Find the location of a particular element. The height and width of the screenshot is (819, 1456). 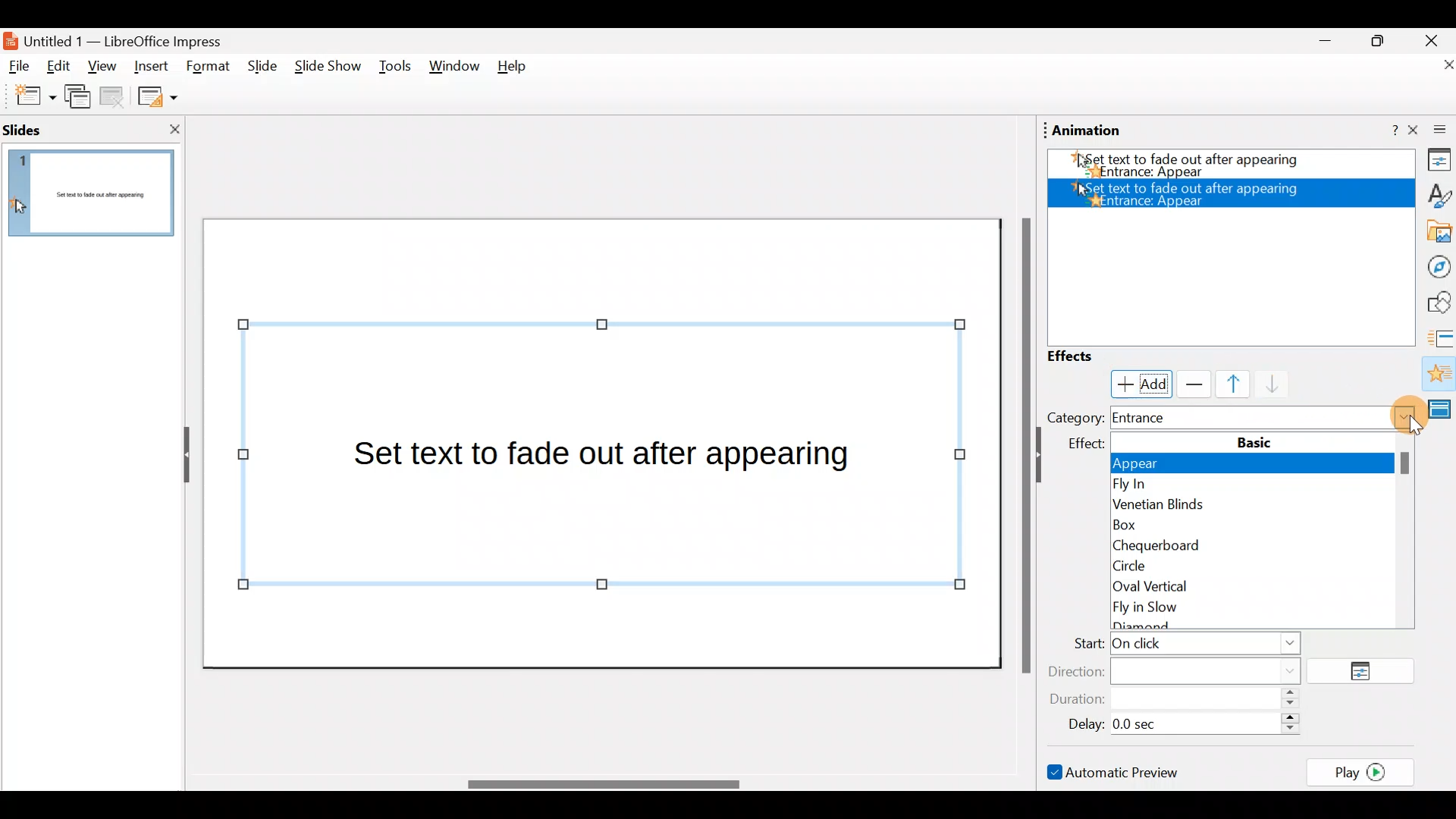

Insert is located at coordinates (151, 64).